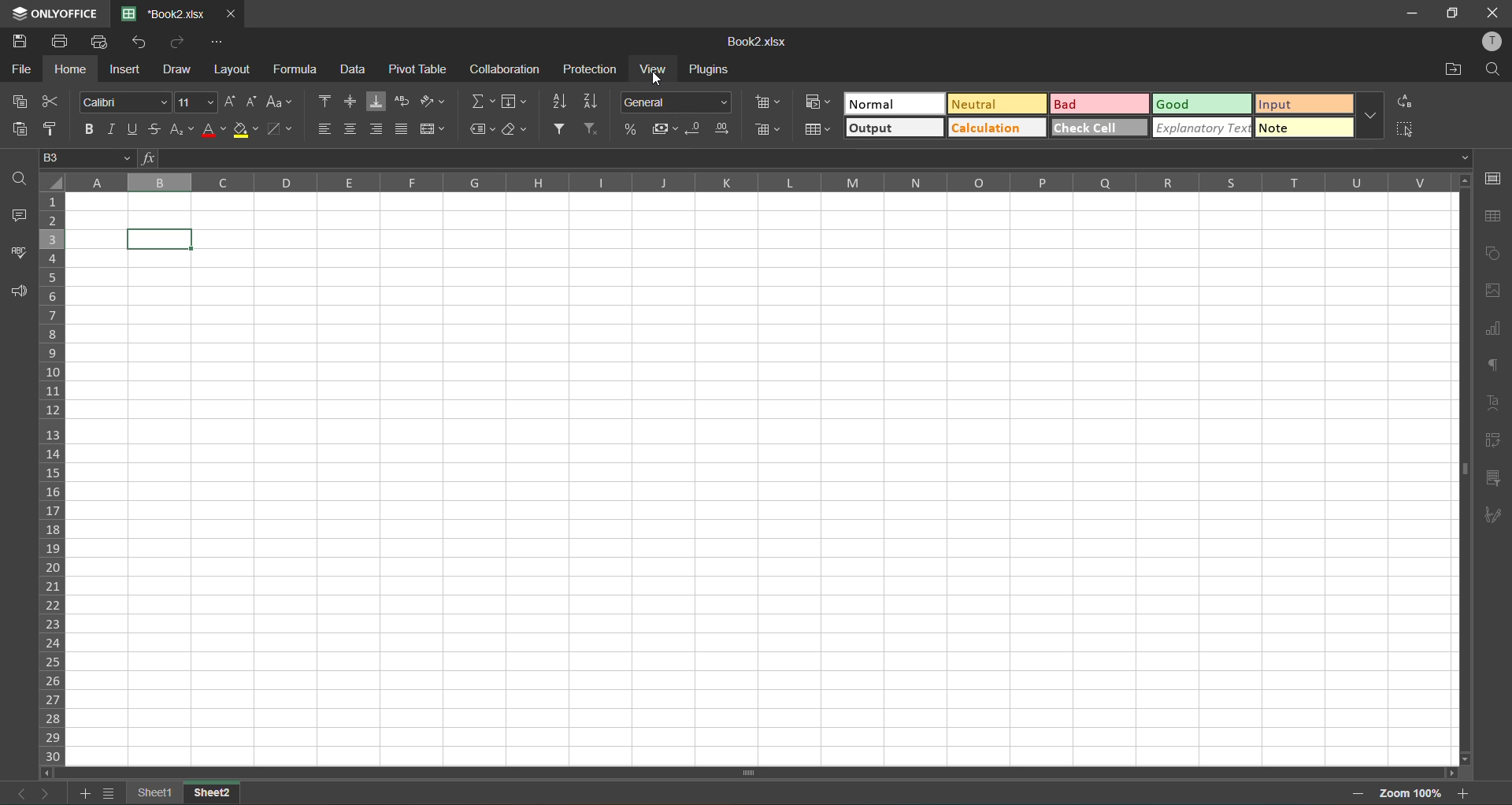 This screenshot has height=805, width=1512. What do you see at coordinates (16, 793) in the screenshot?
I see `previous` at bounding box center [16, 793].